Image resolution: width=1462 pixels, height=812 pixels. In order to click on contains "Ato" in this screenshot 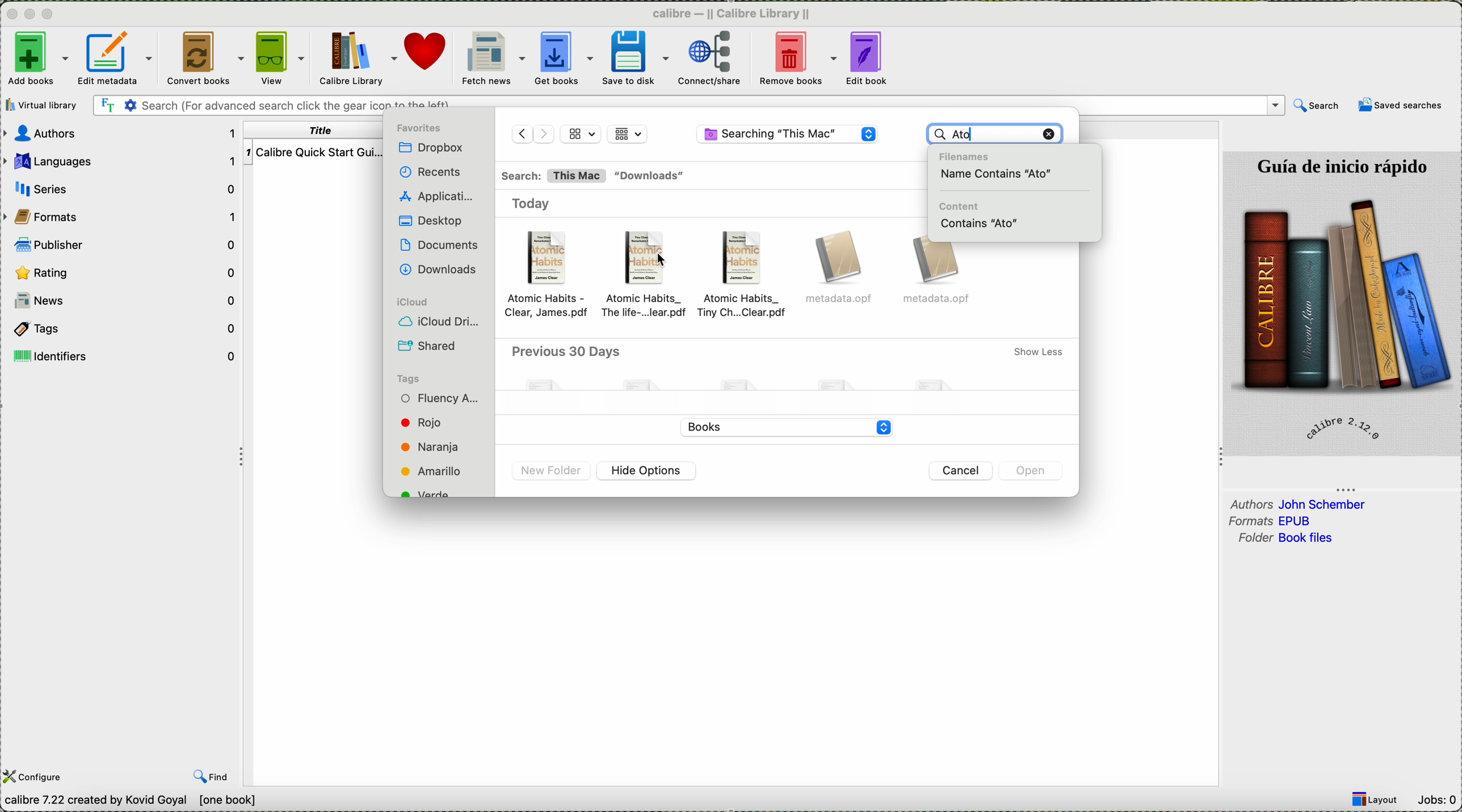, I will do `click(980, 224)`.